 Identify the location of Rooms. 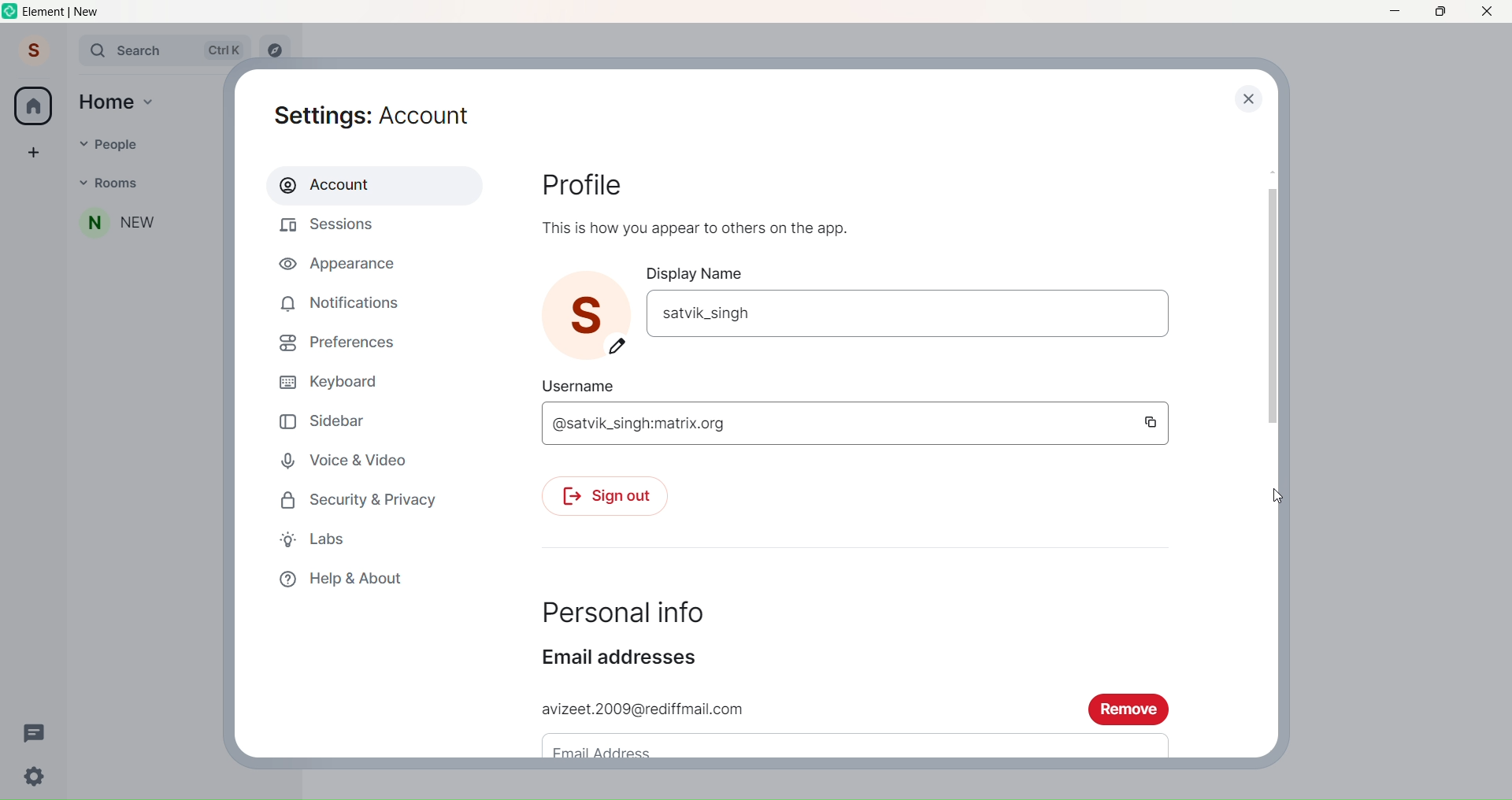
(154, 183).